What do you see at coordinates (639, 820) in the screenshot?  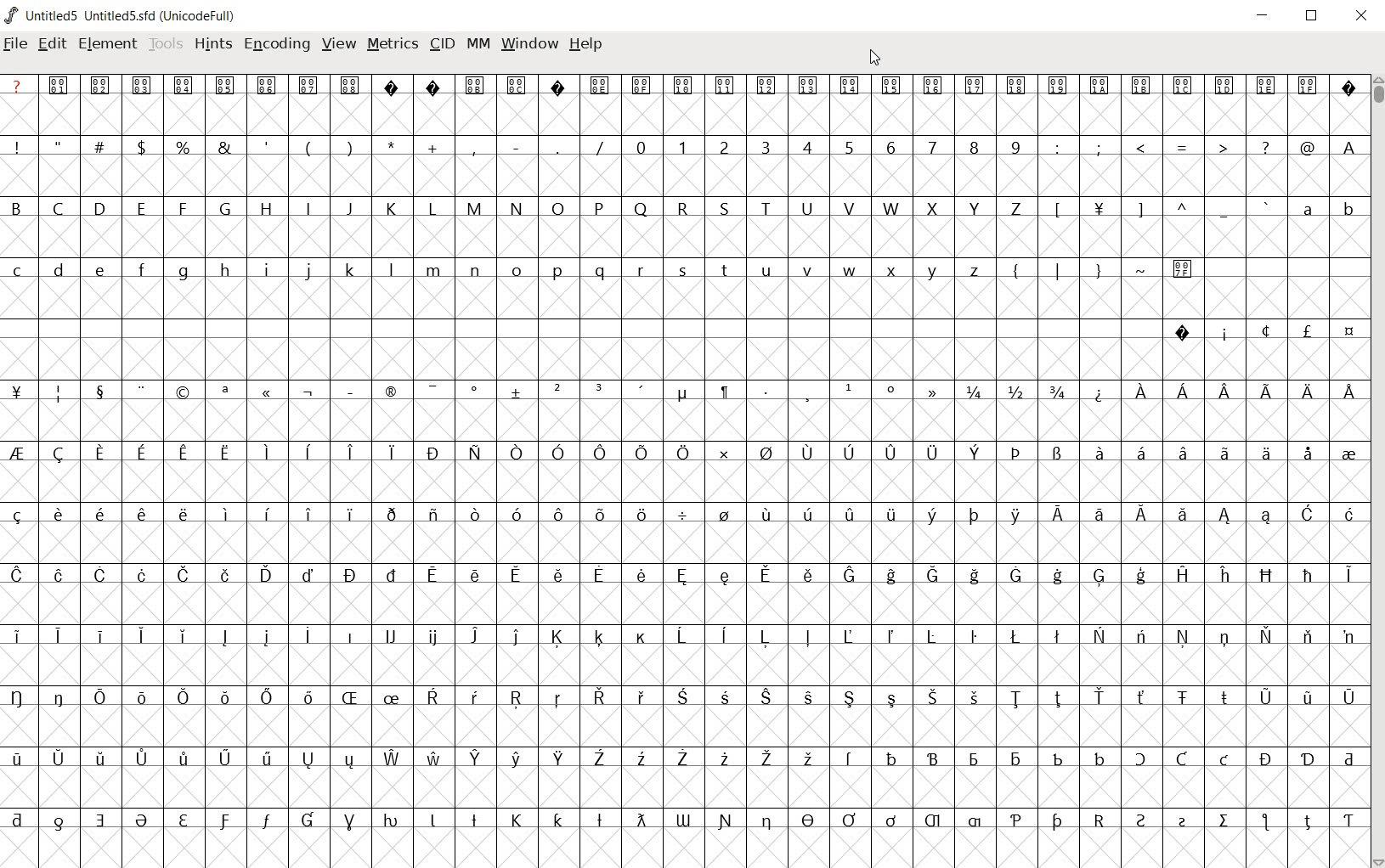 I see `Symbol` at bounding box center [639, 820].